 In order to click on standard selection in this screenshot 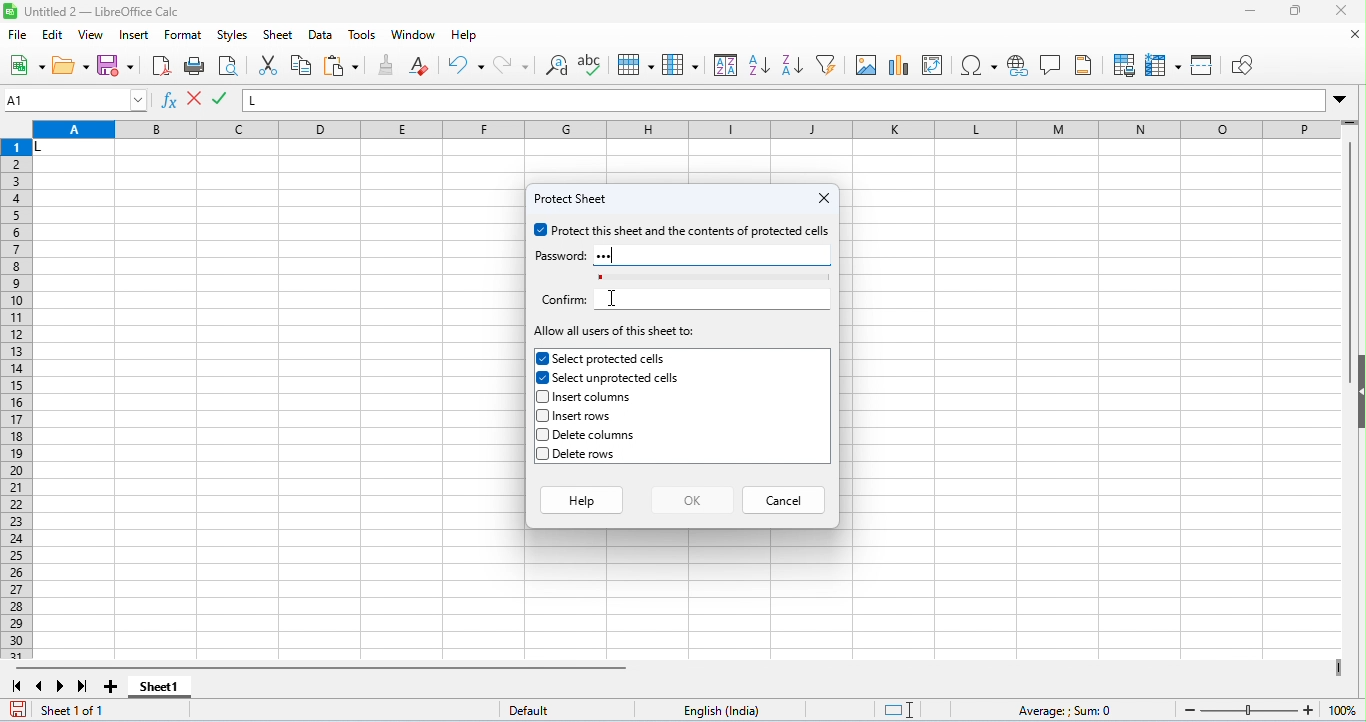, I will do `click(901, 710)`.